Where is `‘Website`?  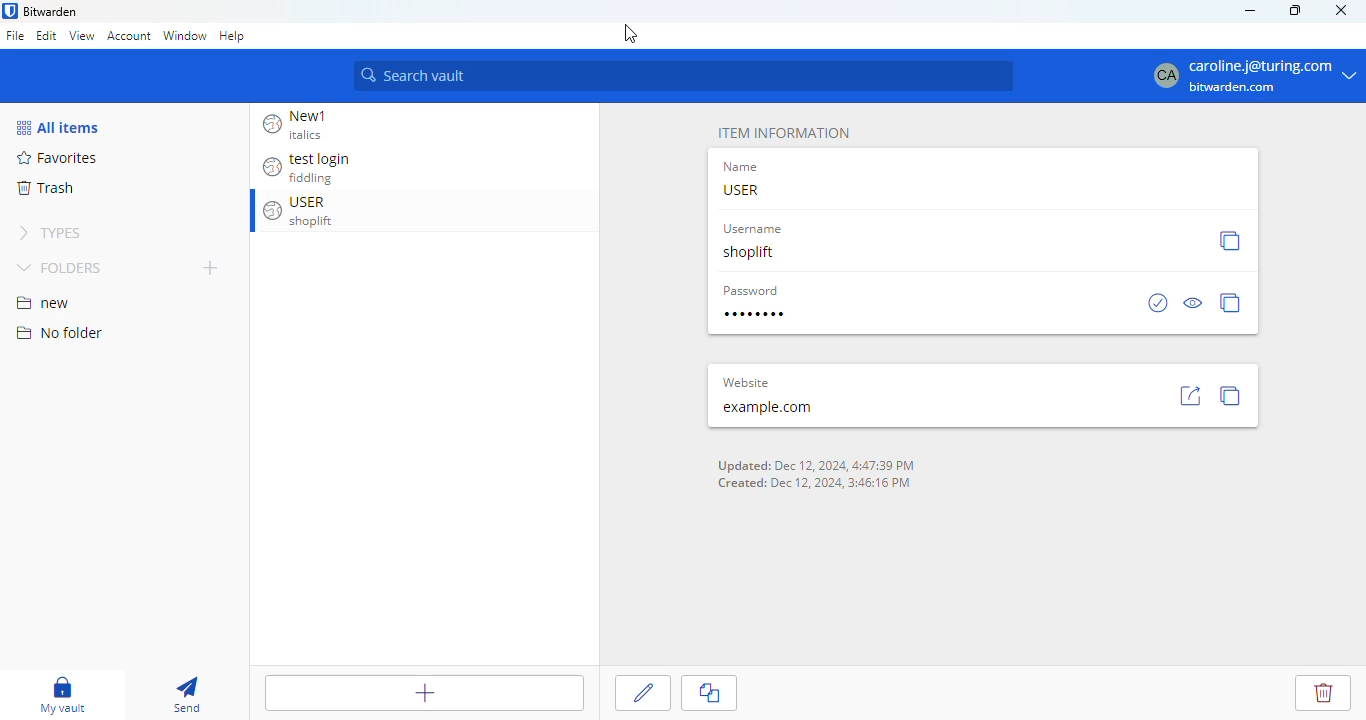
‘Website is located at coordinates (747, 381).